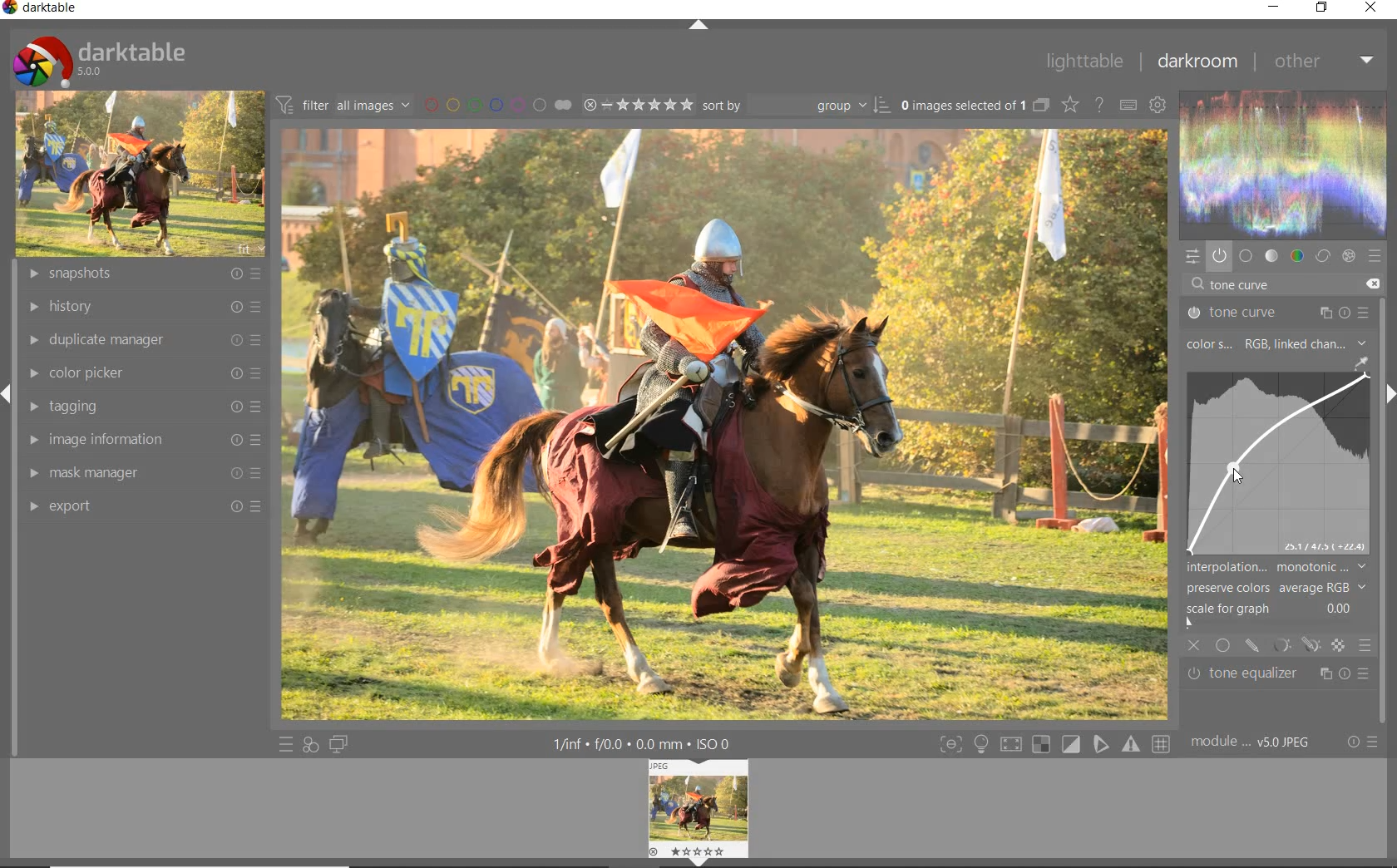  I want to click on darkroom, so click(1197, 63).